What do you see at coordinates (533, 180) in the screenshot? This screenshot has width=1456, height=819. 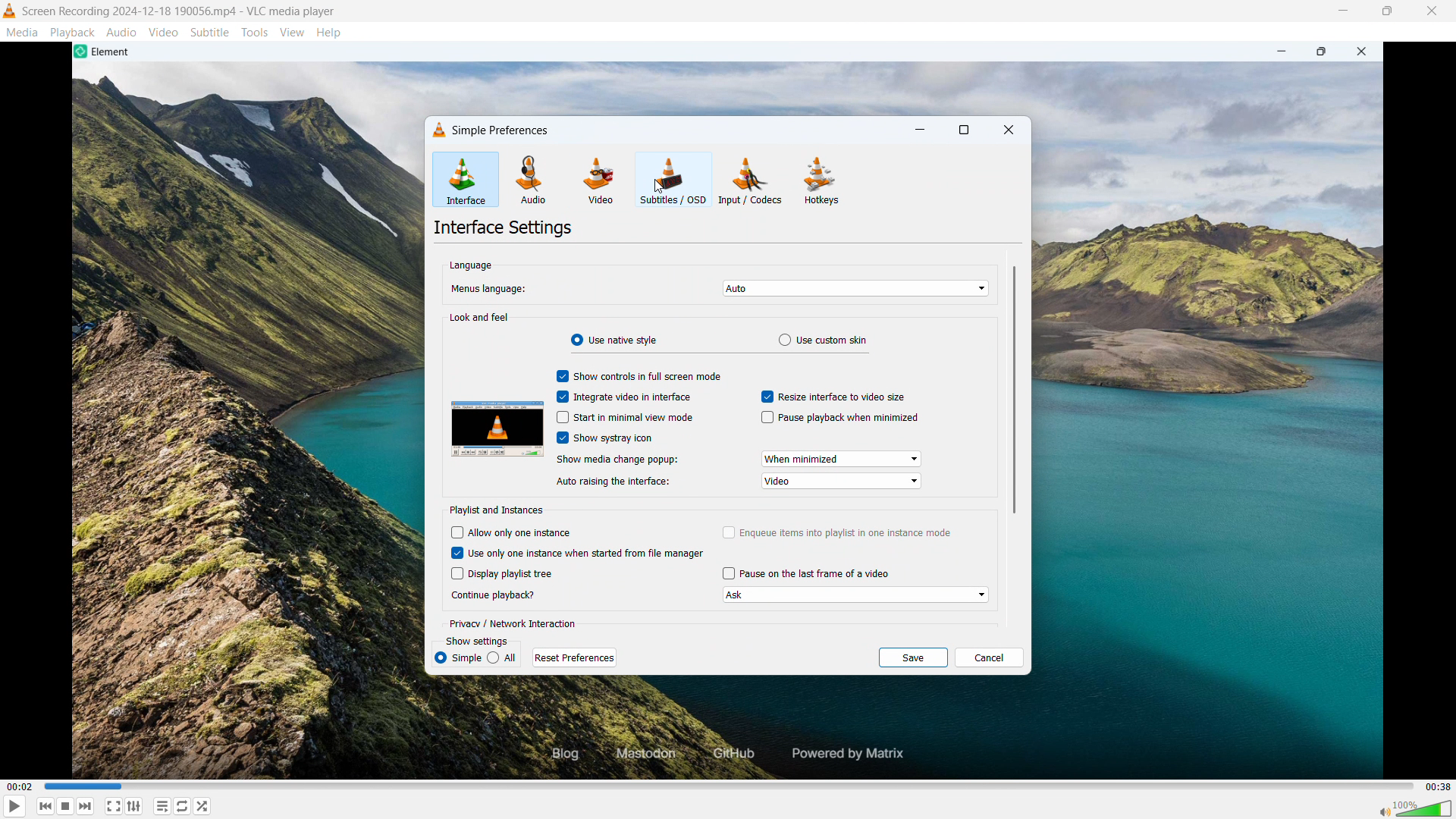 I see `Audio ` at bounding box center [533, 180].